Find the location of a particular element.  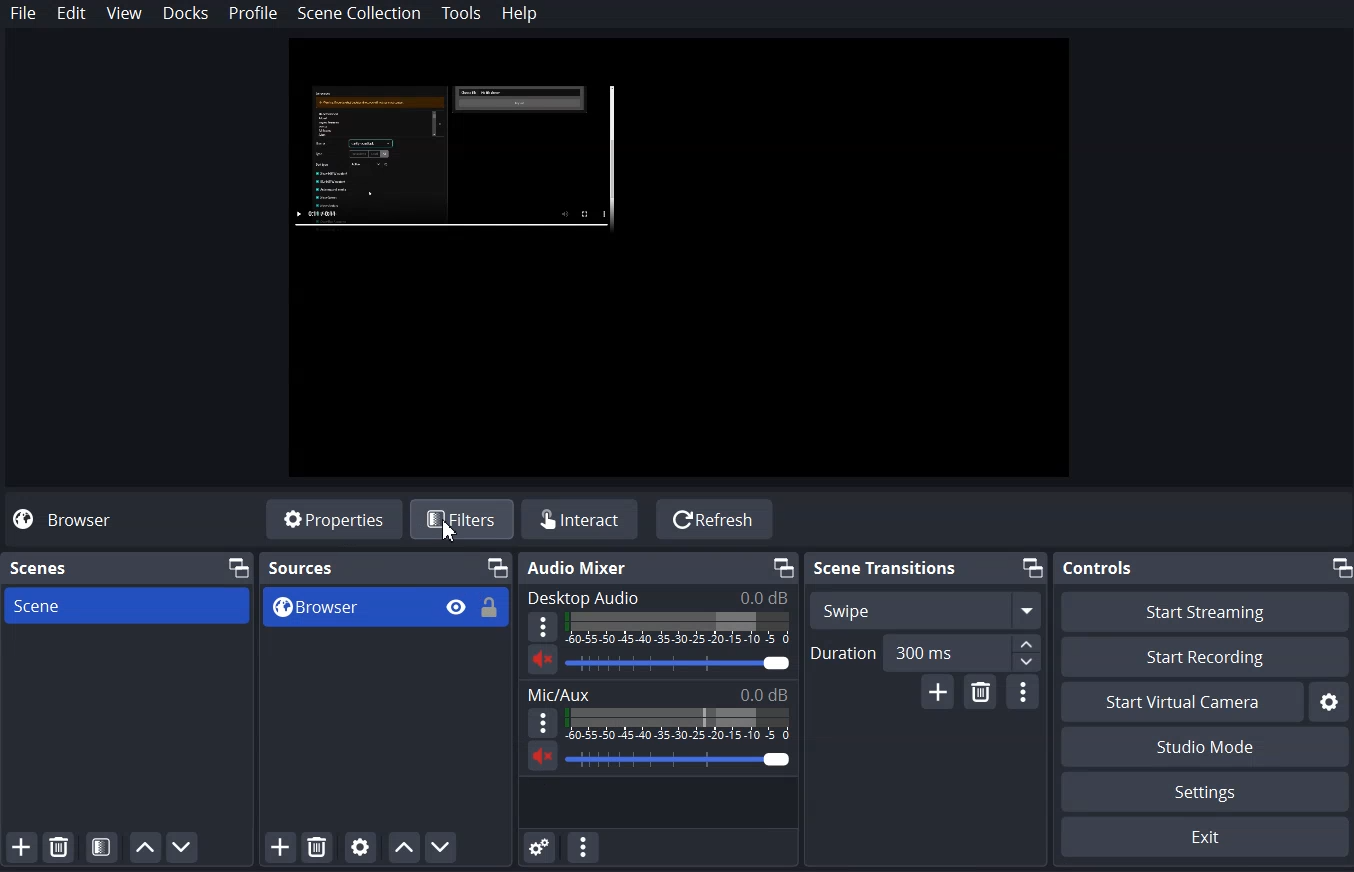

Source is located at coordinates (301, 568).